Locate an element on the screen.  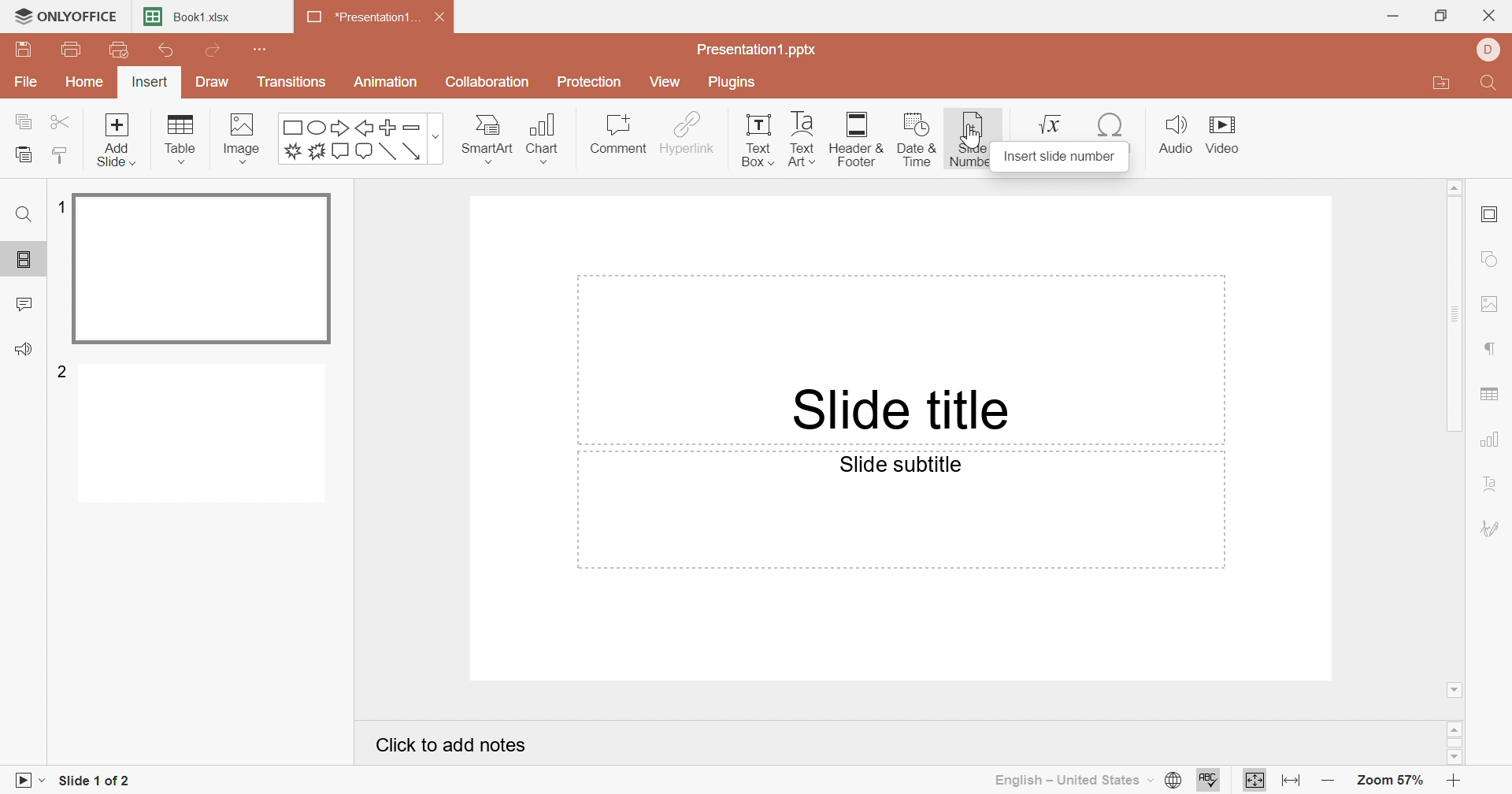
Close is located at coordinates (445, 20).